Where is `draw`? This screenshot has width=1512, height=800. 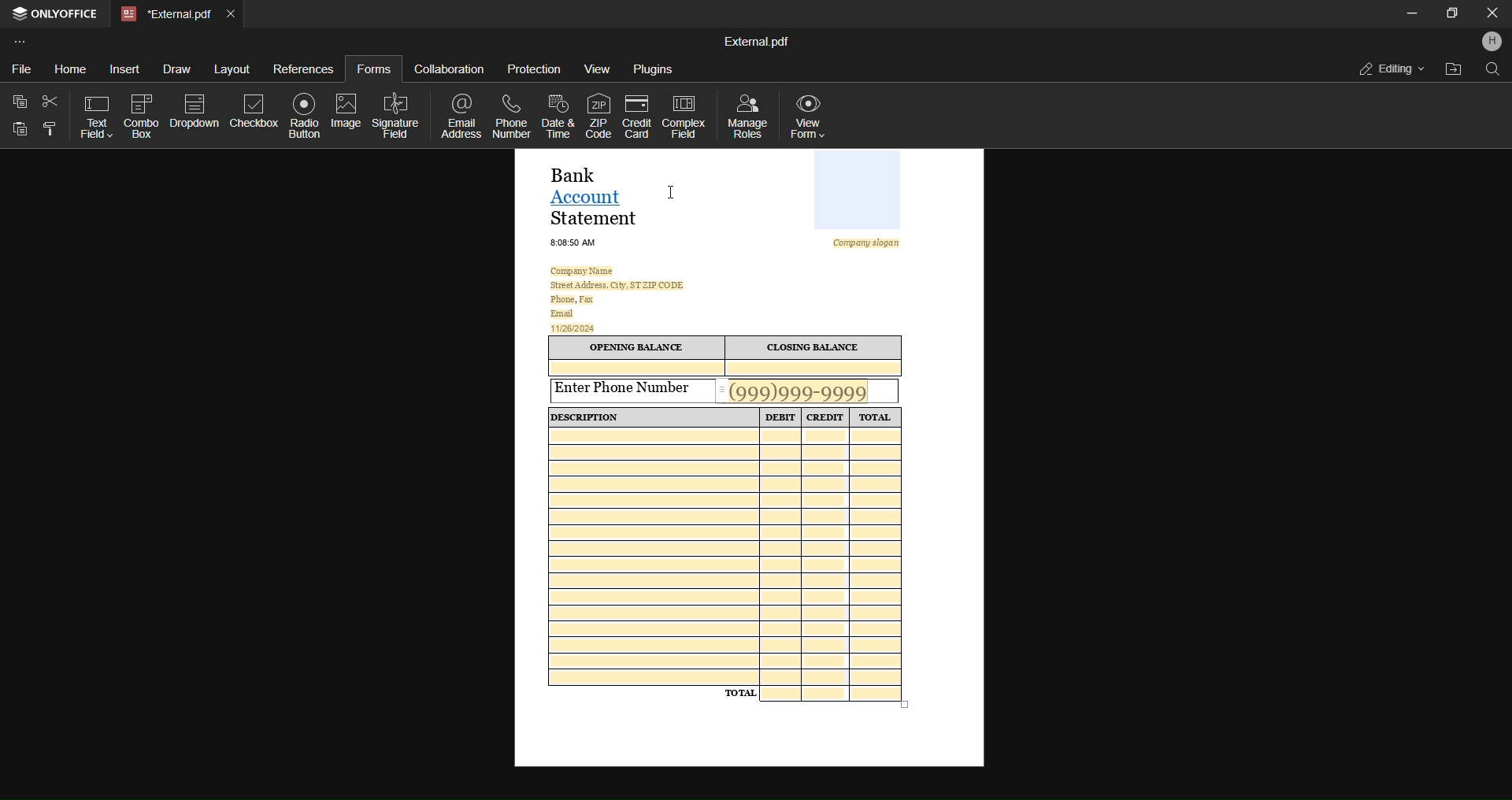 draw is located at coordinates (176, 68).